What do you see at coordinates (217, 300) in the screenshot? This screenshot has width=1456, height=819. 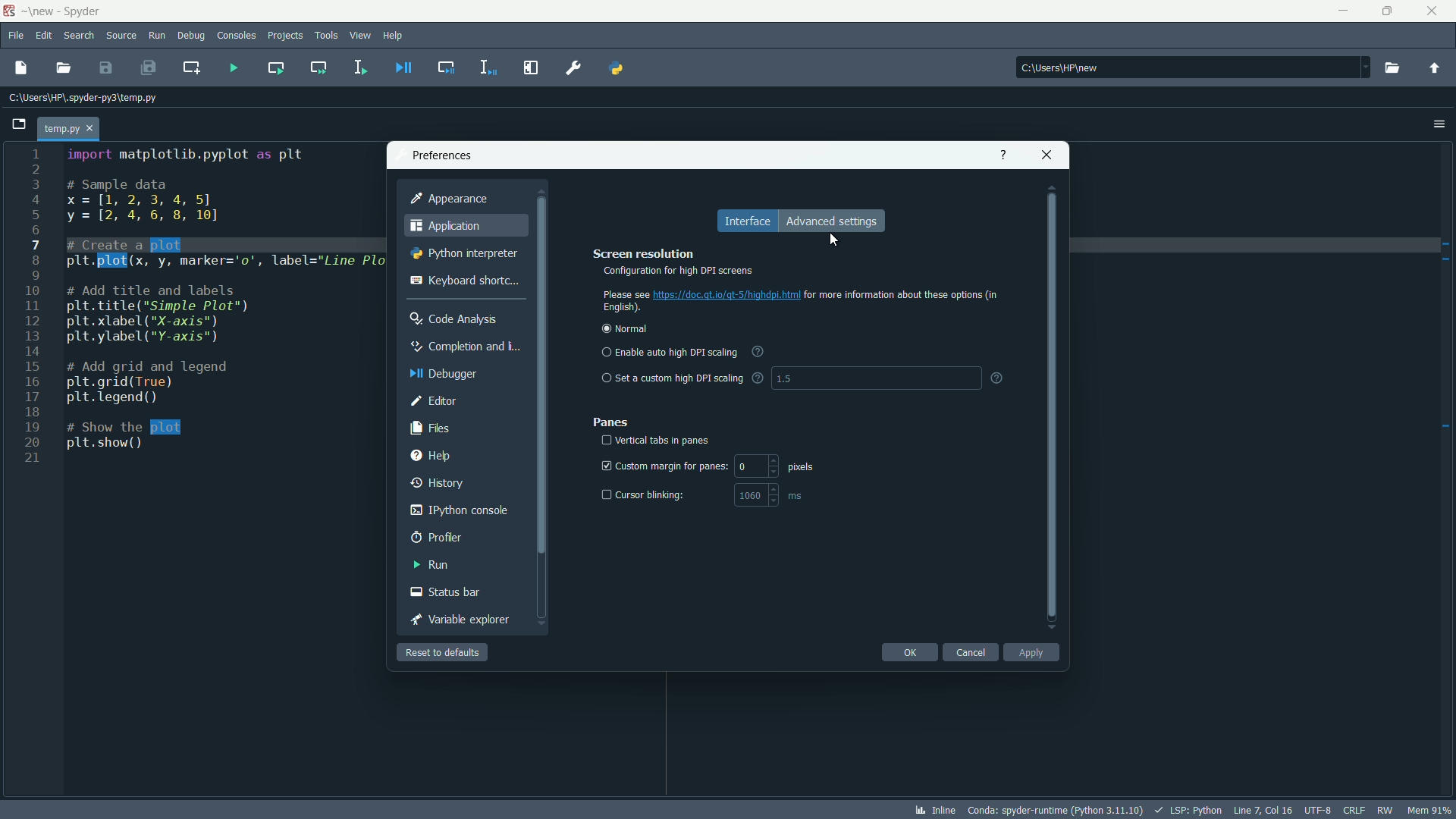 I see `code to create a line plot between x and y variables` at bounding box center [217, 300].